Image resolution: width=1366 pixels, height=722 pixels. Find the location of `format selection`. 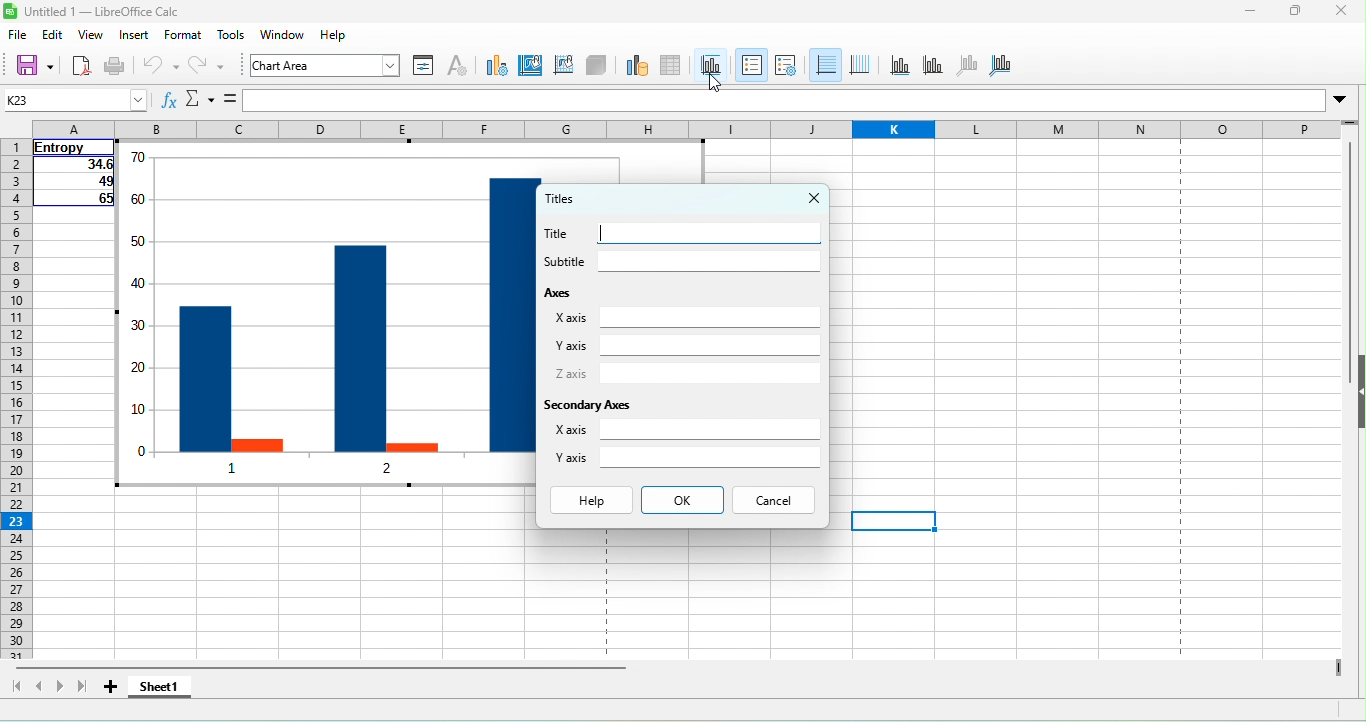

format selection is located at coordinates (425, 67).